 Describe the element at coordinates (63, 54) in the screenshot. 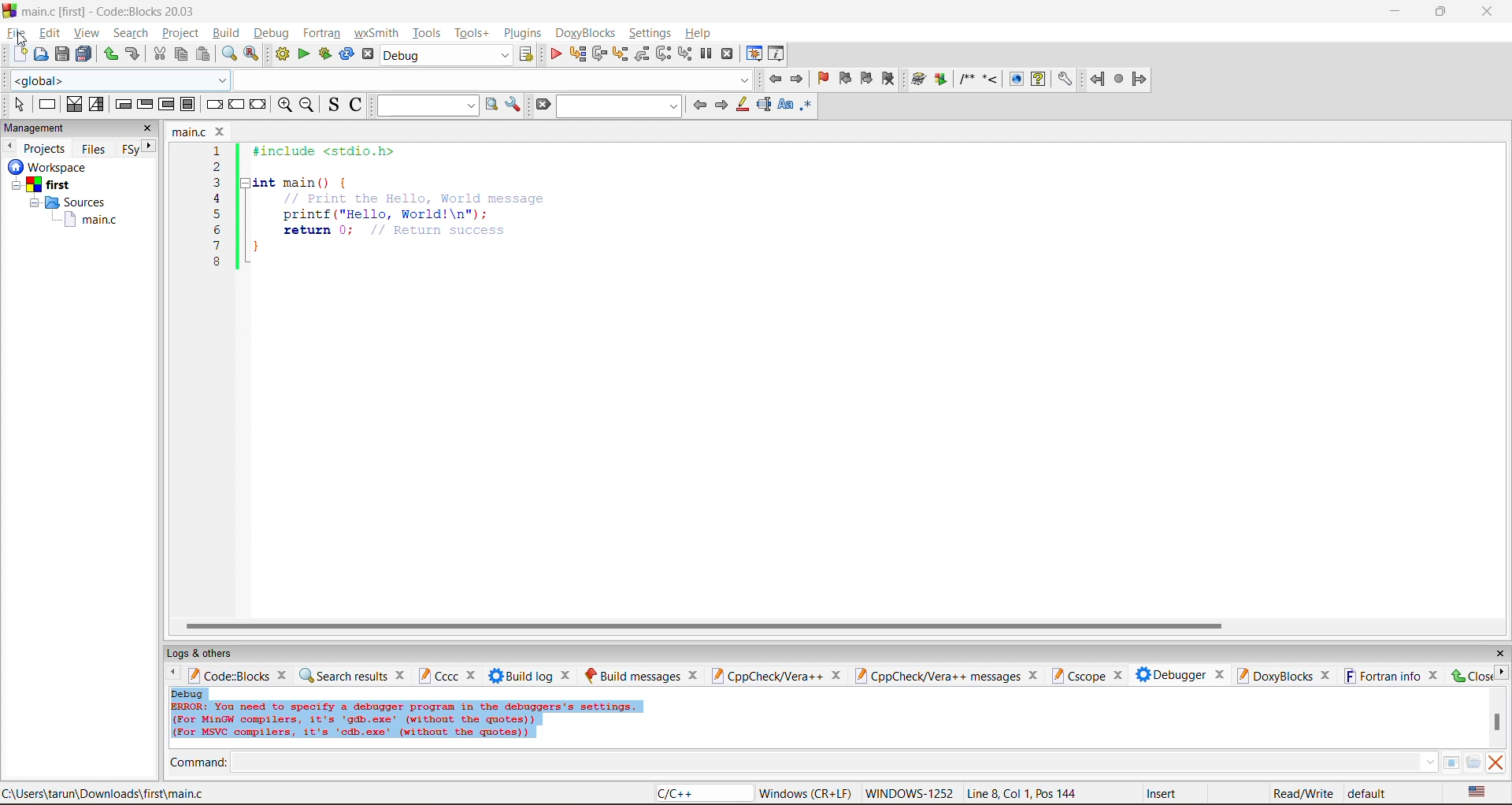

I see `save` at that location.